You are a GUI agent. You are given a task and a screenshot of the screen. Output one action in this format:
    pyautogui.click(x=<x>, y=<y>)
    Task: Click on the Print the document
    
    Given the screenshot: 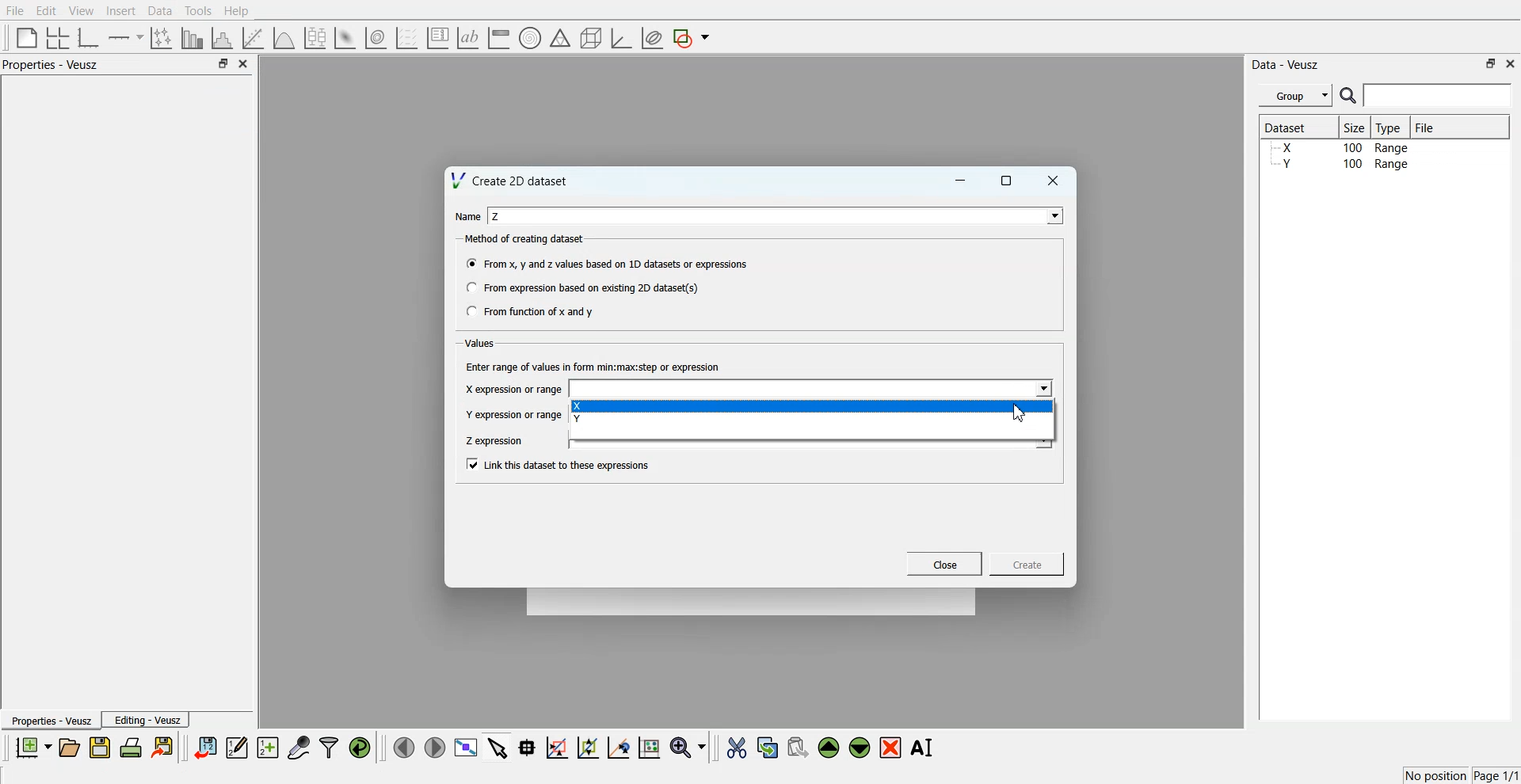 What is the action you would take?
    pyautogui.click(x=130, y=747)
    